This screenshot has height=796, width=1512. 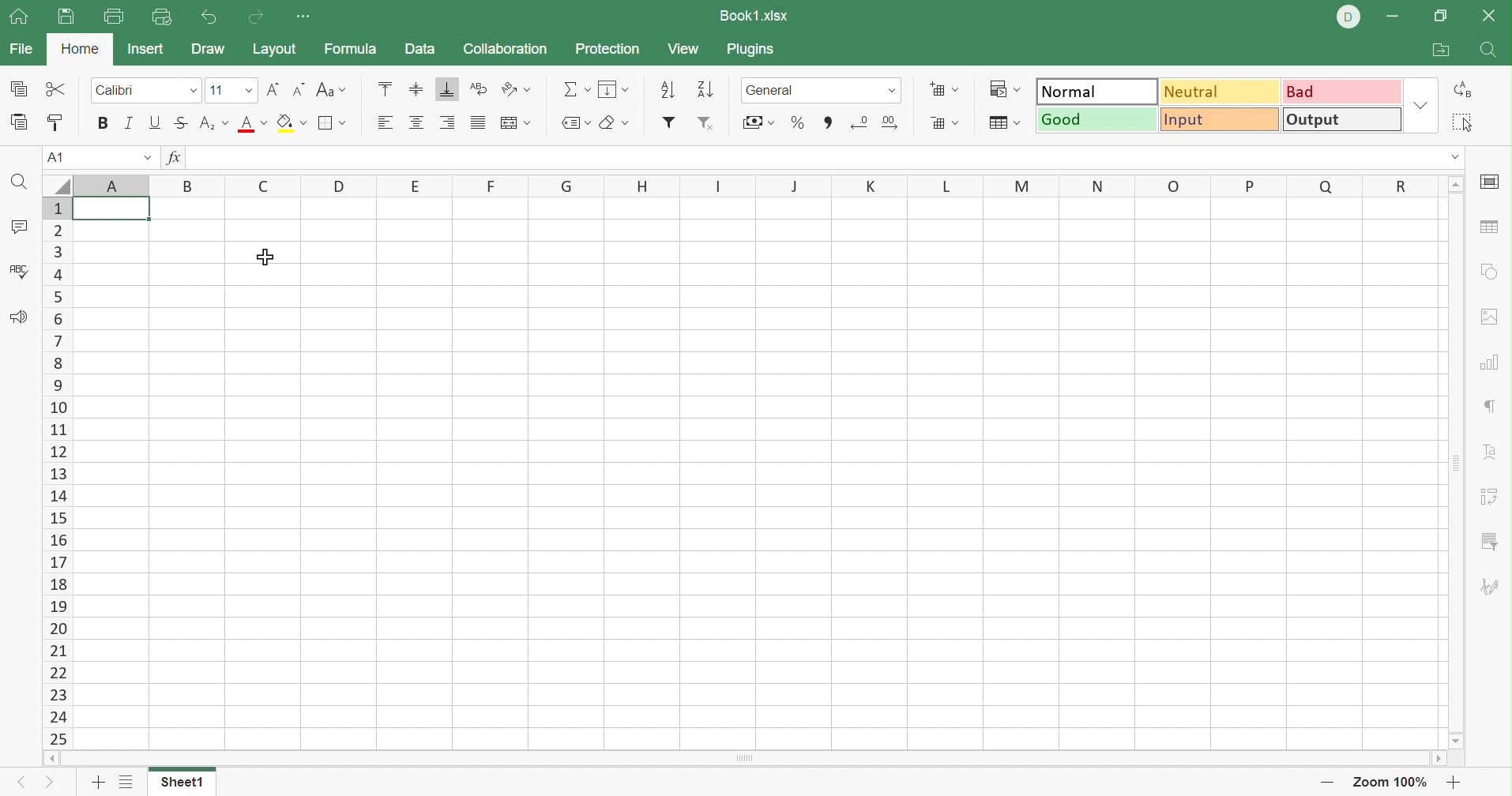 I want to click on Zoom in, so click(x=1454, y=782).